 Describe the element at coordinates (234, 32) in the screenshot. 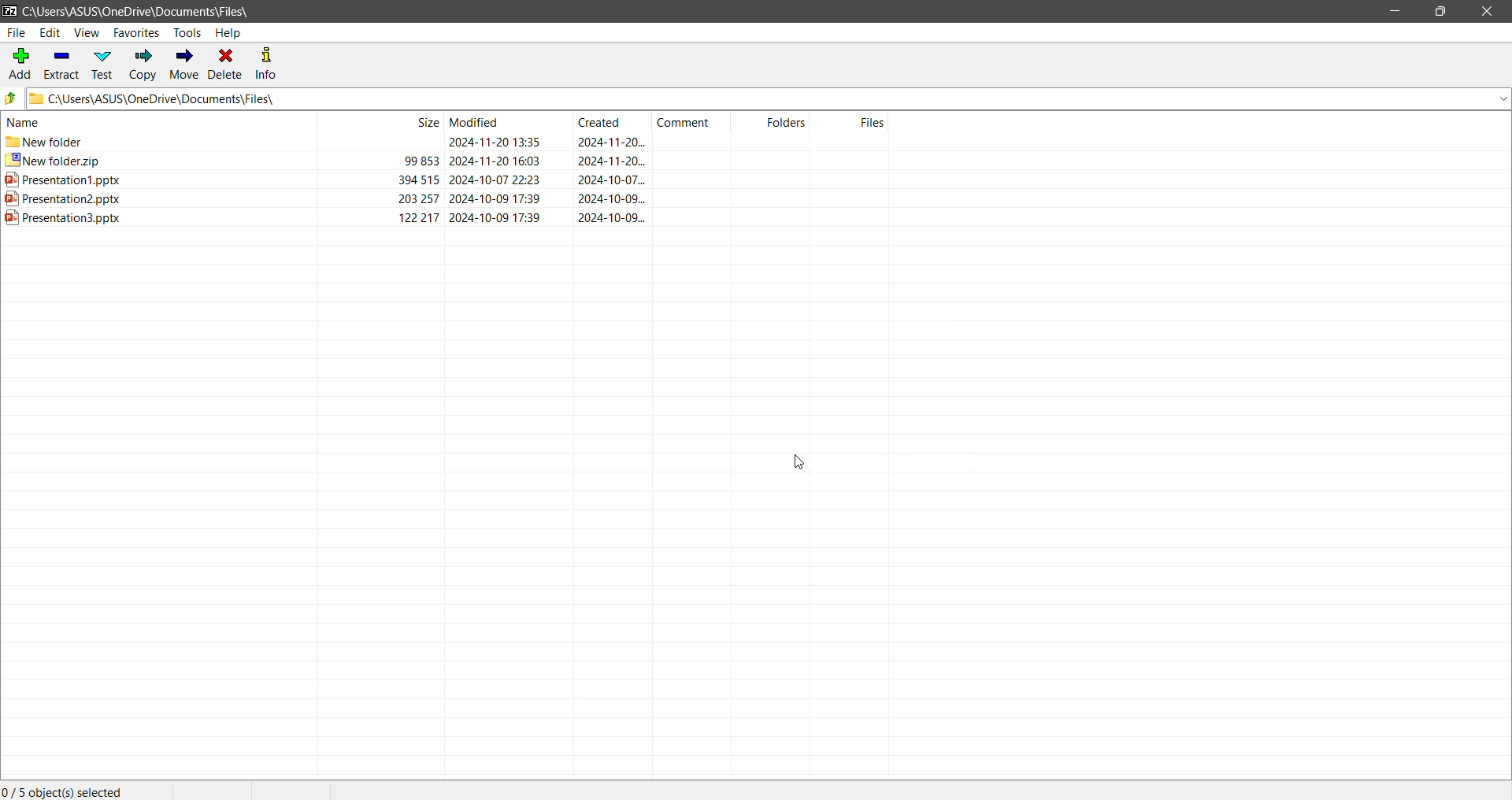

I see `Help` at that location.